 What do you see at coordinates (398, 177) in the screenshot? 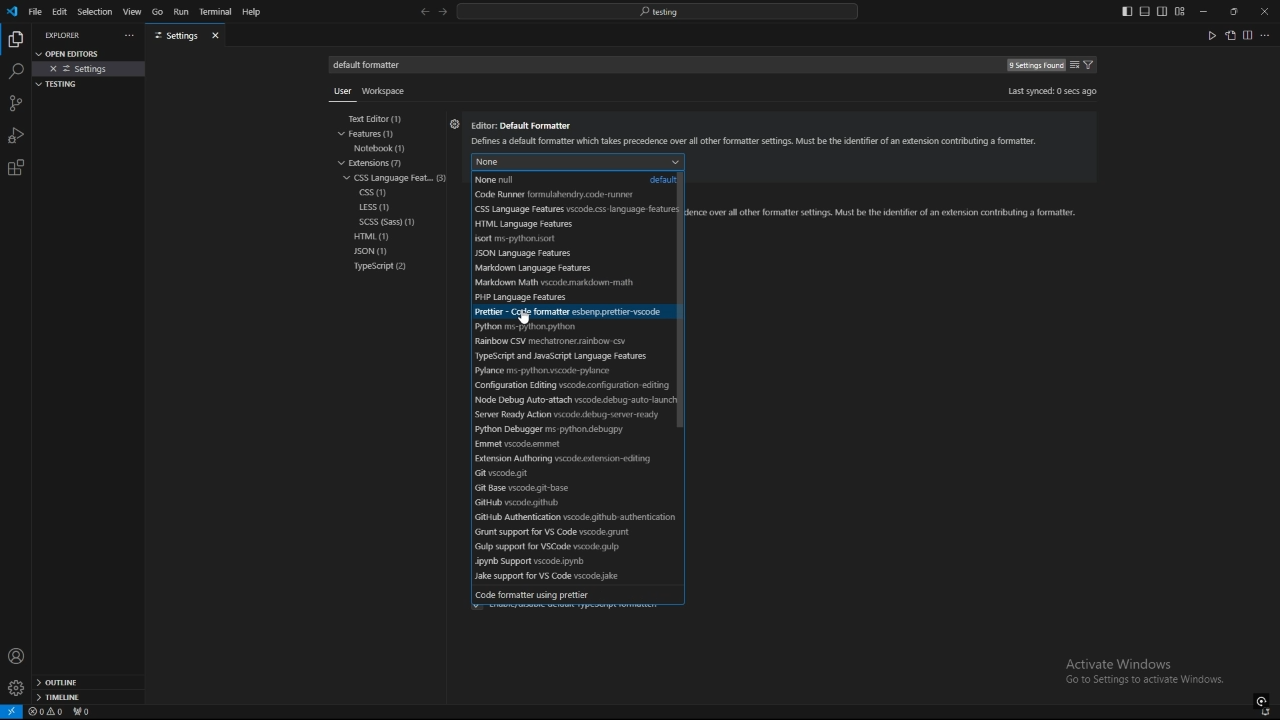
I see `css language feature` at bounding box center [398, 177].